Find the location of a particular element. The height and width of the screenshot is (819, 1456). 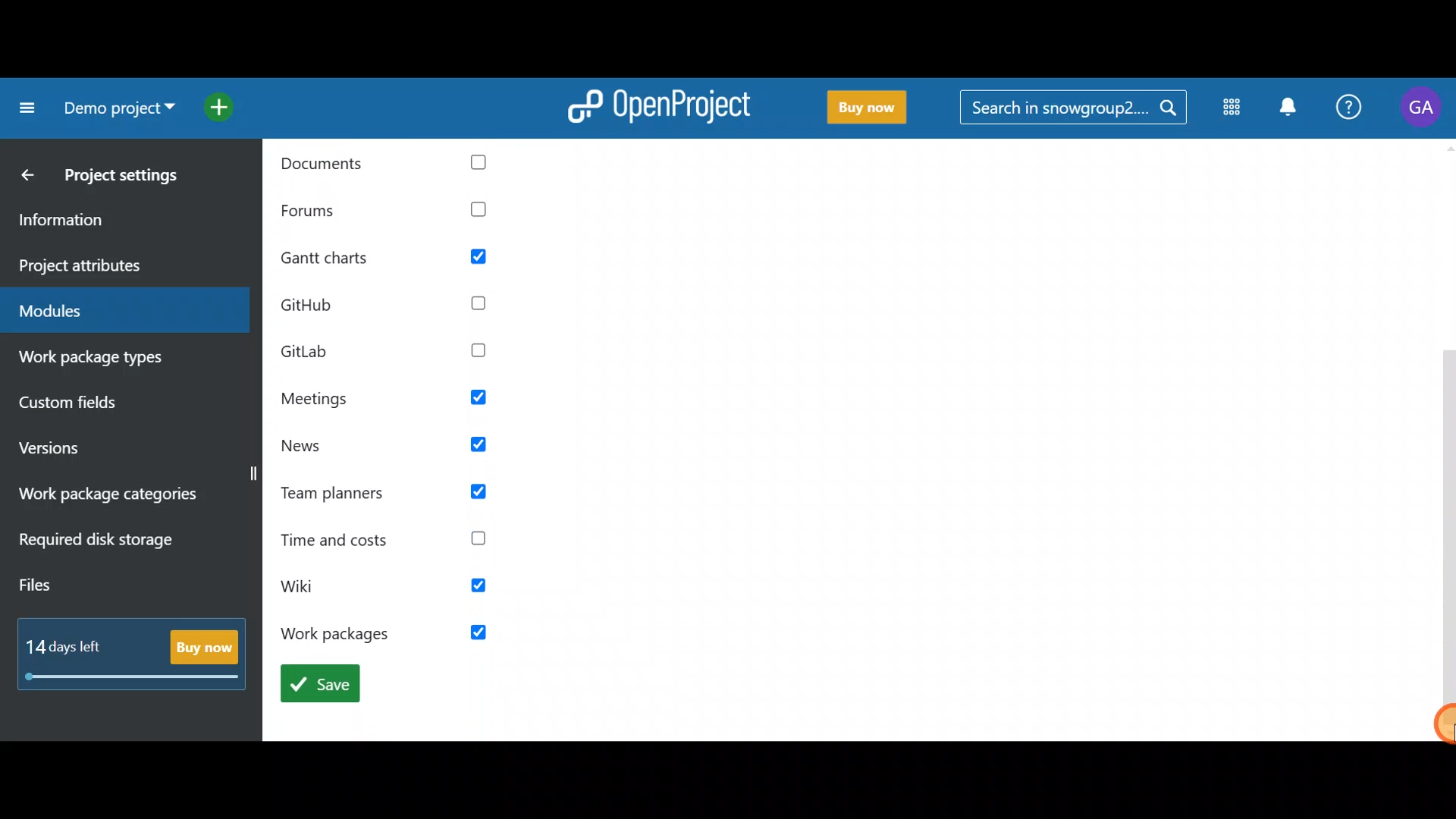

Team planners is located at coordinates (390, 493).